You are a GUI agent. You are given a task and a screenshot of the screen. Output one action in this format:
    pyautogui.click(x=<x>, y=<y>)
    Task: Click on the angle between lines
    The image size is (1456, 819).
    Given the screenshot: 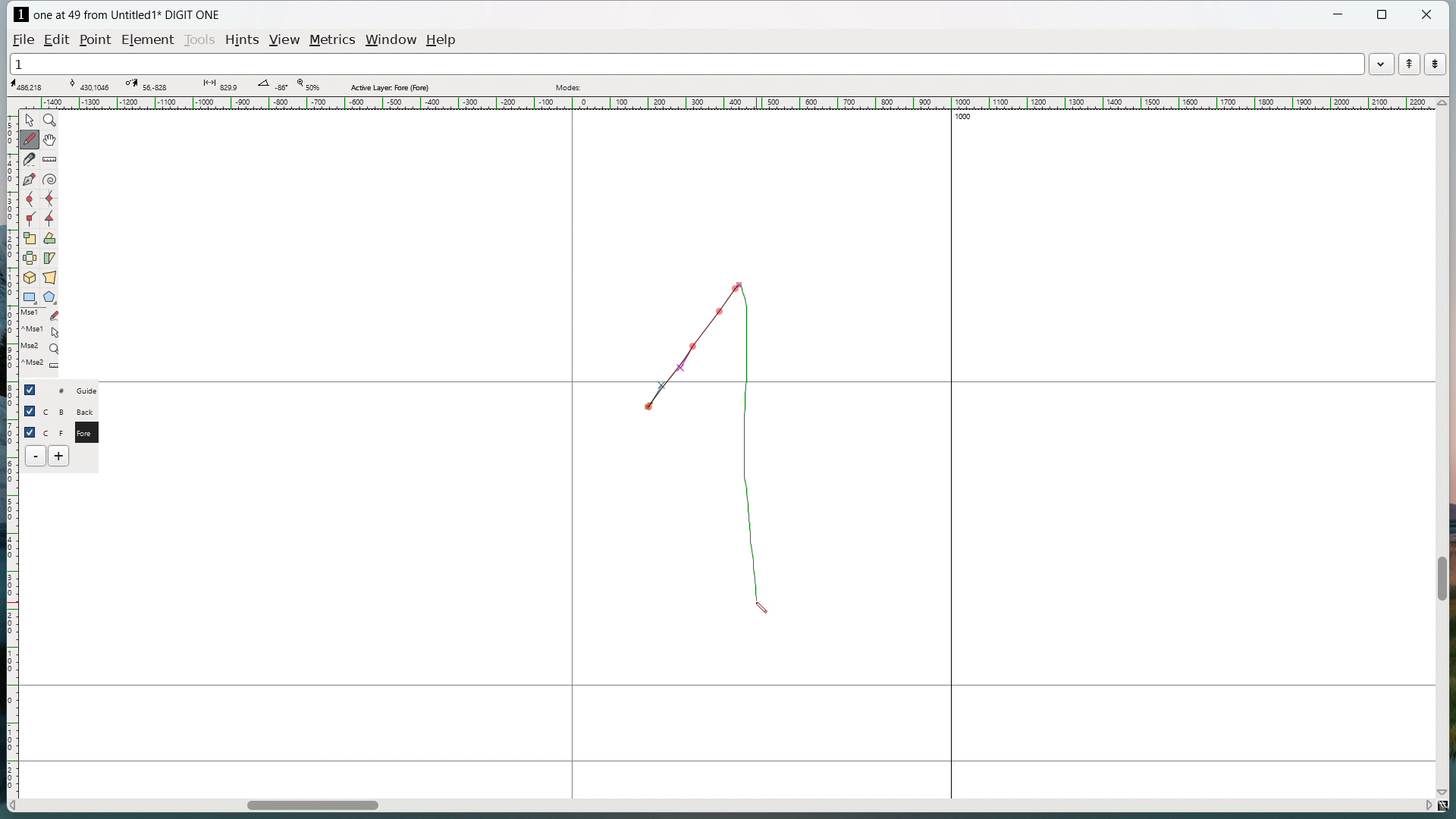 What is the action you would take?
    pyautogui.click(x=272, y=86)
    